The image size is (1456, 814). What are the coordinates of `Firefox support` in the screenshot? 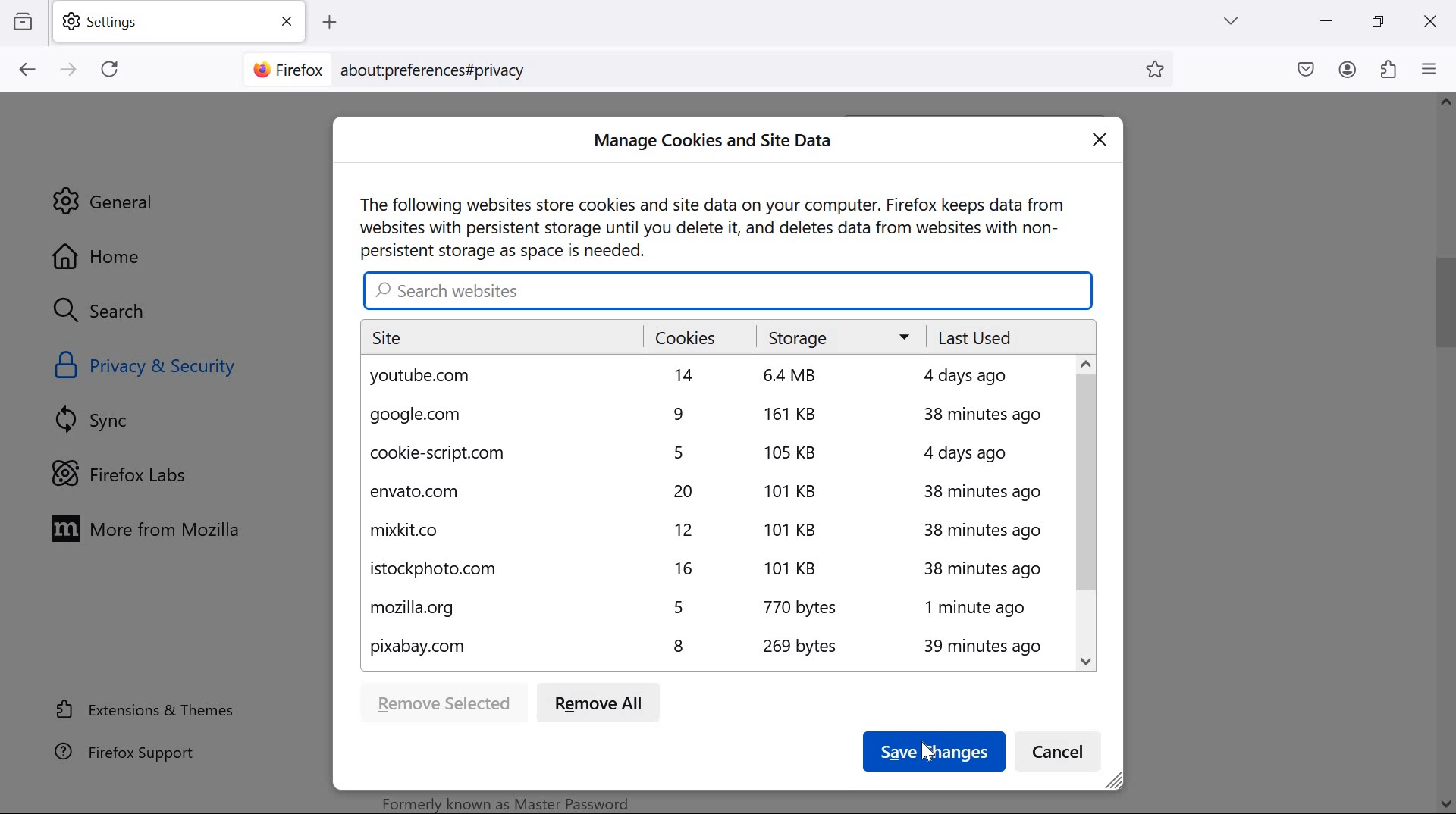 It's located at (128, 751).